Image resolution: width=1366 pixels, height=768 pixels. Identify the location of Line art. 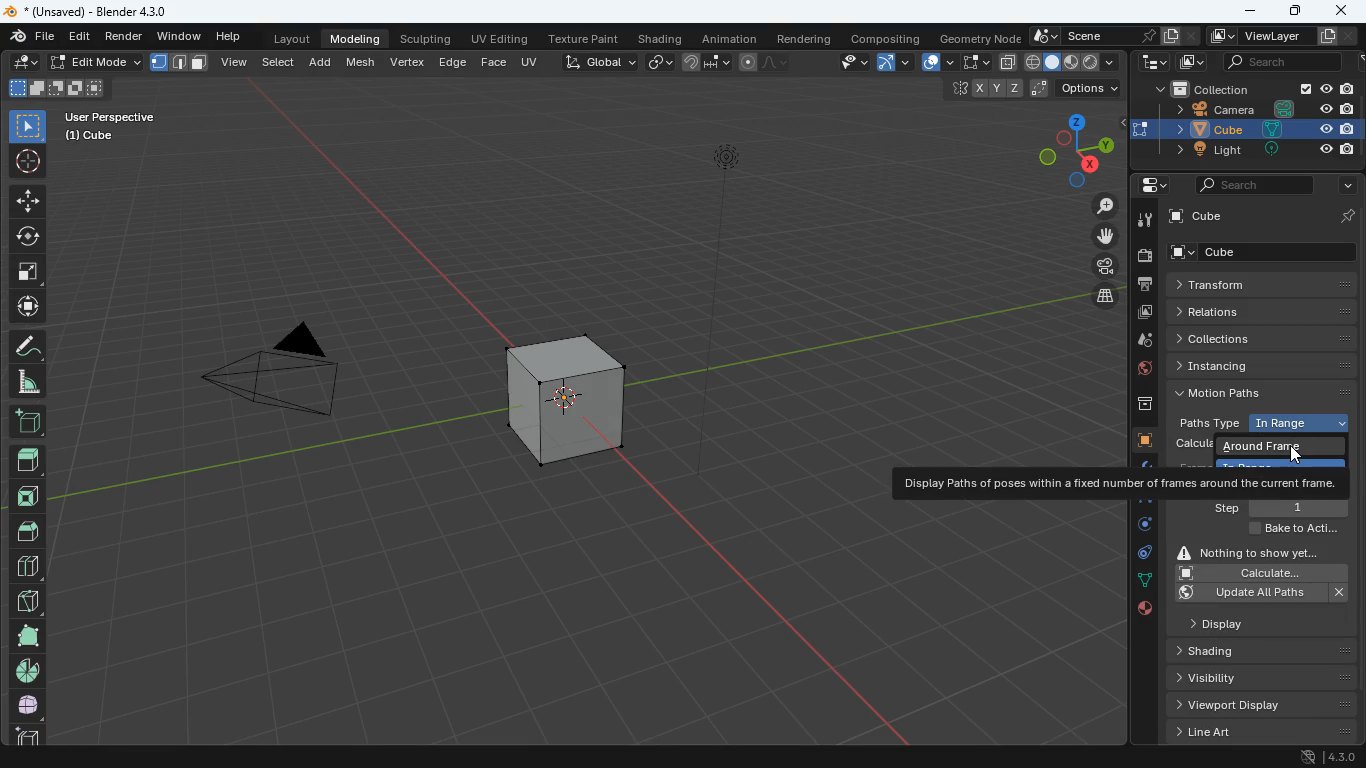
(1260, 732).